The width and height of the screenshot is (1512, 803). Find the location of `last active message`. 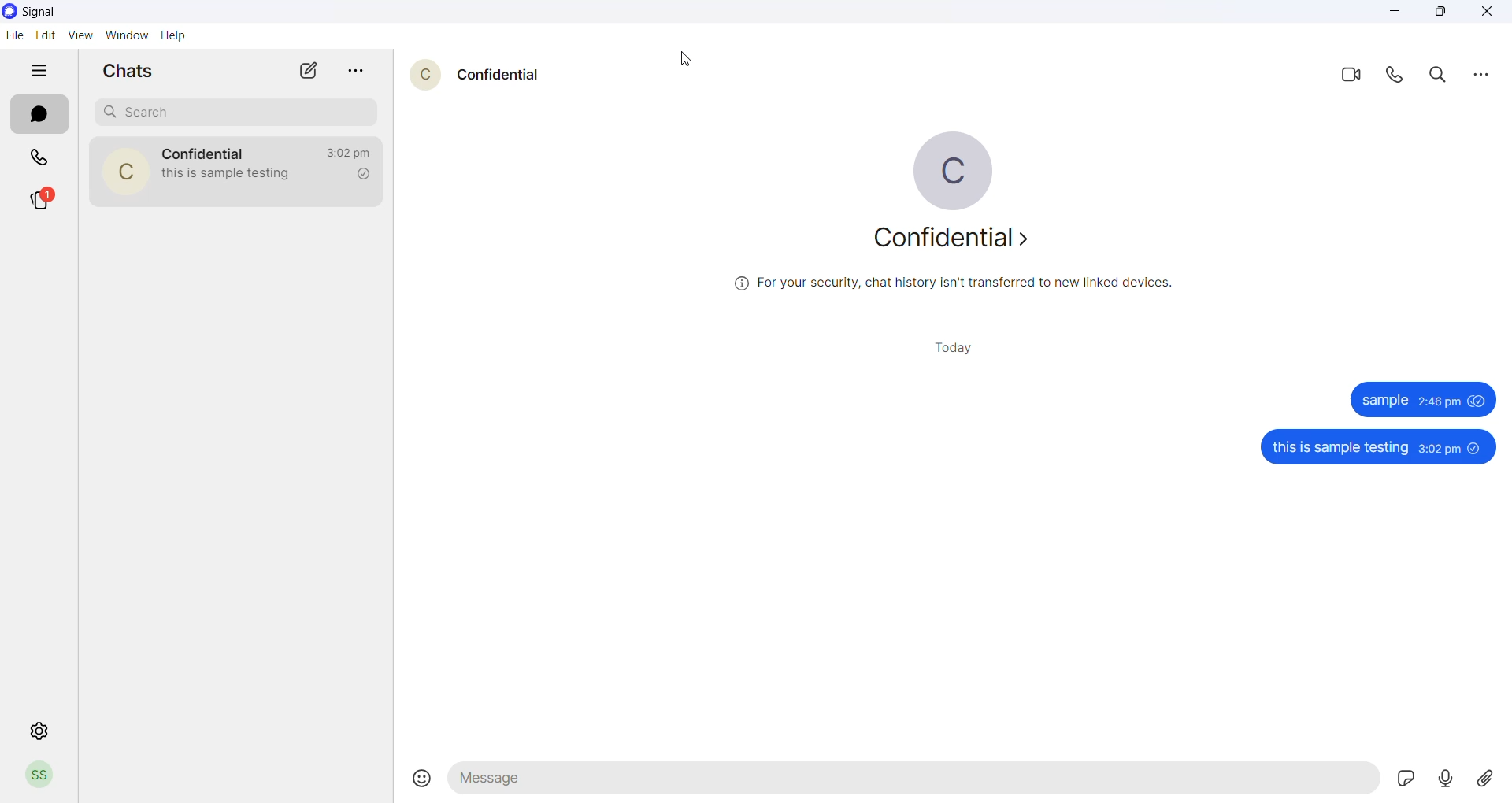

last active message is located at coordinates (346, 154).